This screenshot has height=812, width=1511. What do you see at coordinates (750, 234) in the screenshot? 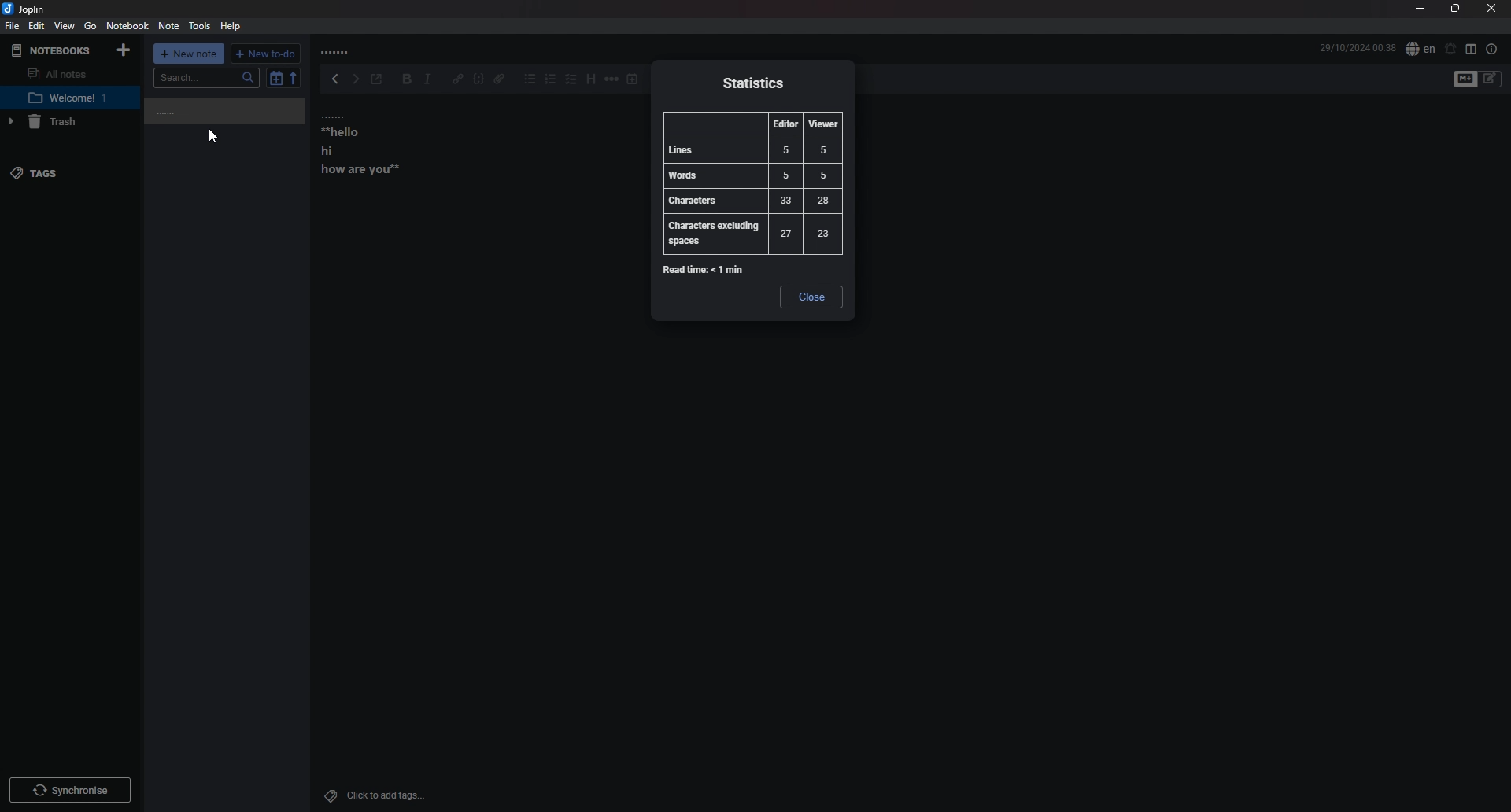
I see `Characters excluding spaces` at bounding box center [750, 234].